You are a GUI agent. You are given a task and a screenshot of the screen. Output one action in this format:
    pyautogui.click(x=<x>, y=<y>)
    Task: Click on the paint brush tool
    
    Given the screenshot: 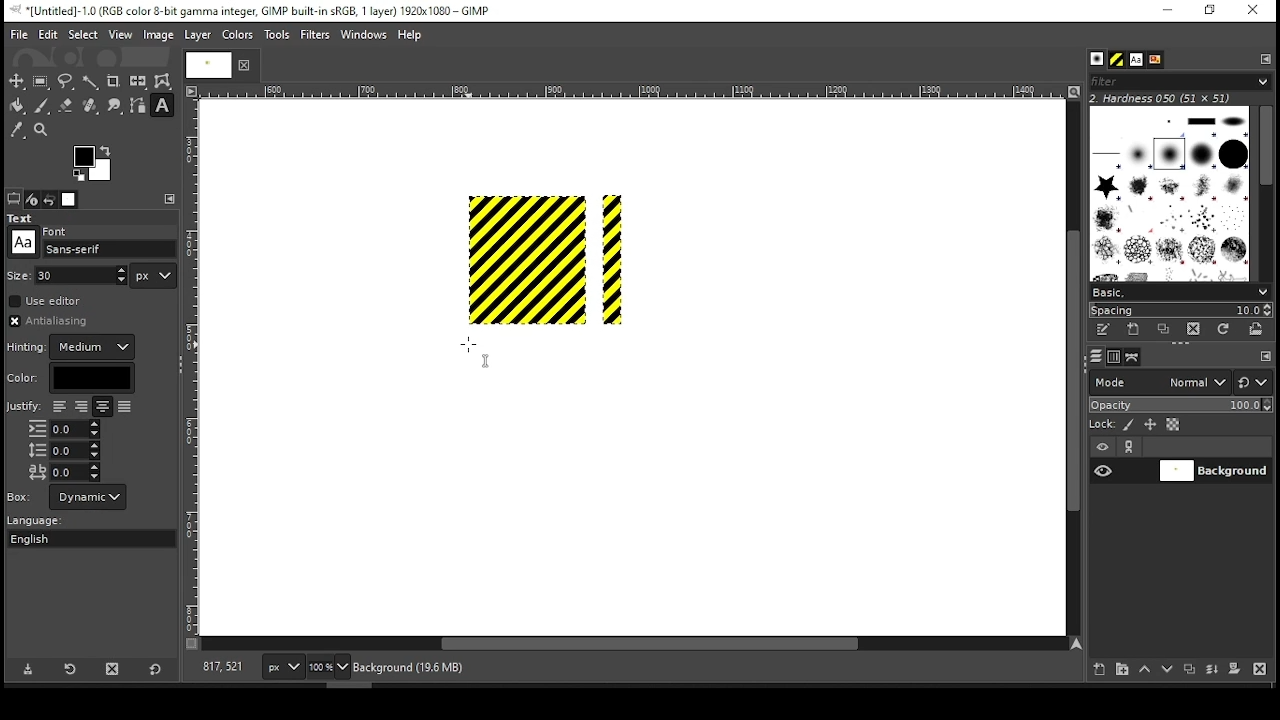 What is the action you would take?
    pyautogui.click(x=42, y=105)
    